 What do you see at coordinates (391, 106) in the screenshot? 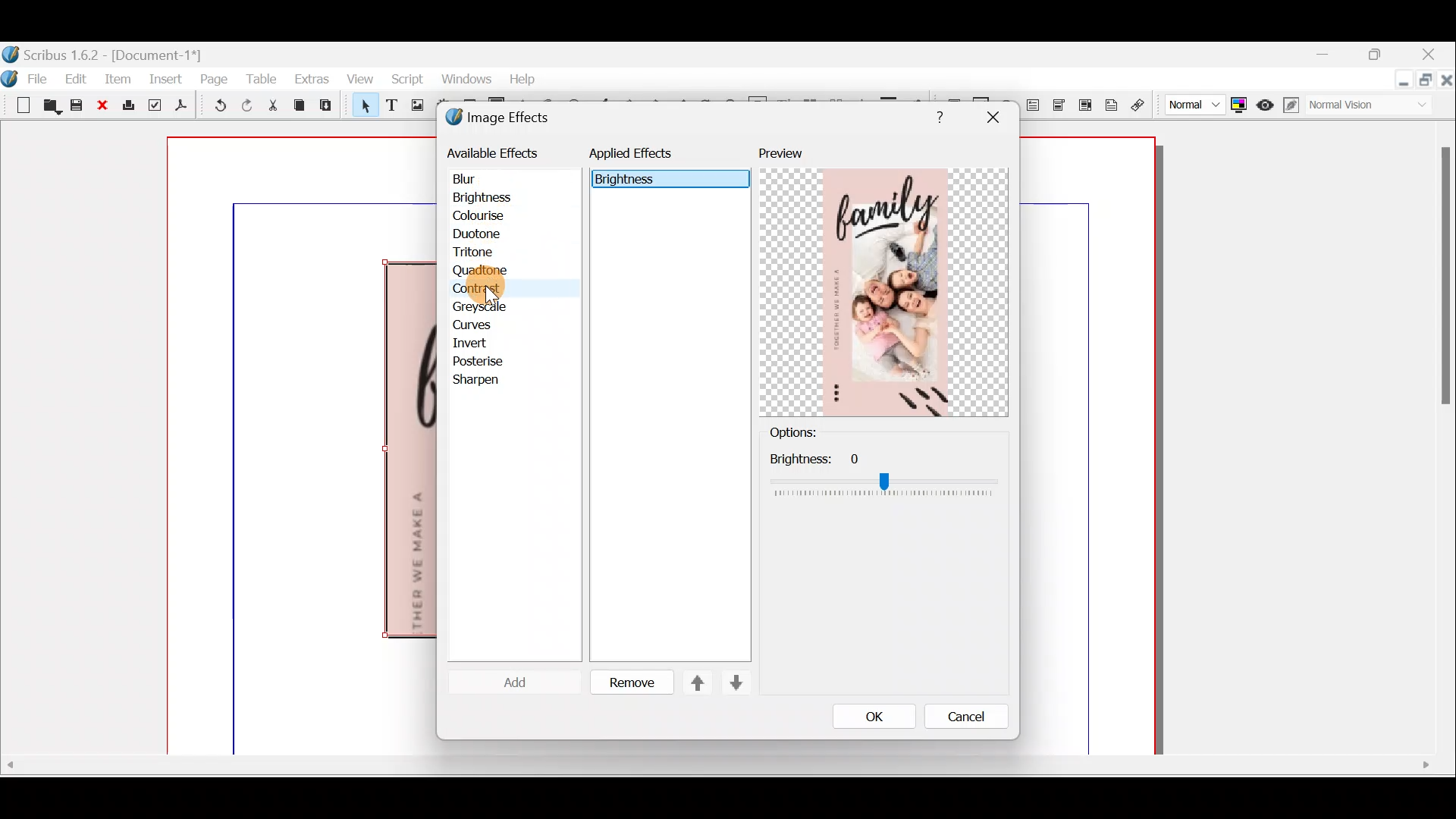
I see `Text frame` at bounding box center [391, 106].